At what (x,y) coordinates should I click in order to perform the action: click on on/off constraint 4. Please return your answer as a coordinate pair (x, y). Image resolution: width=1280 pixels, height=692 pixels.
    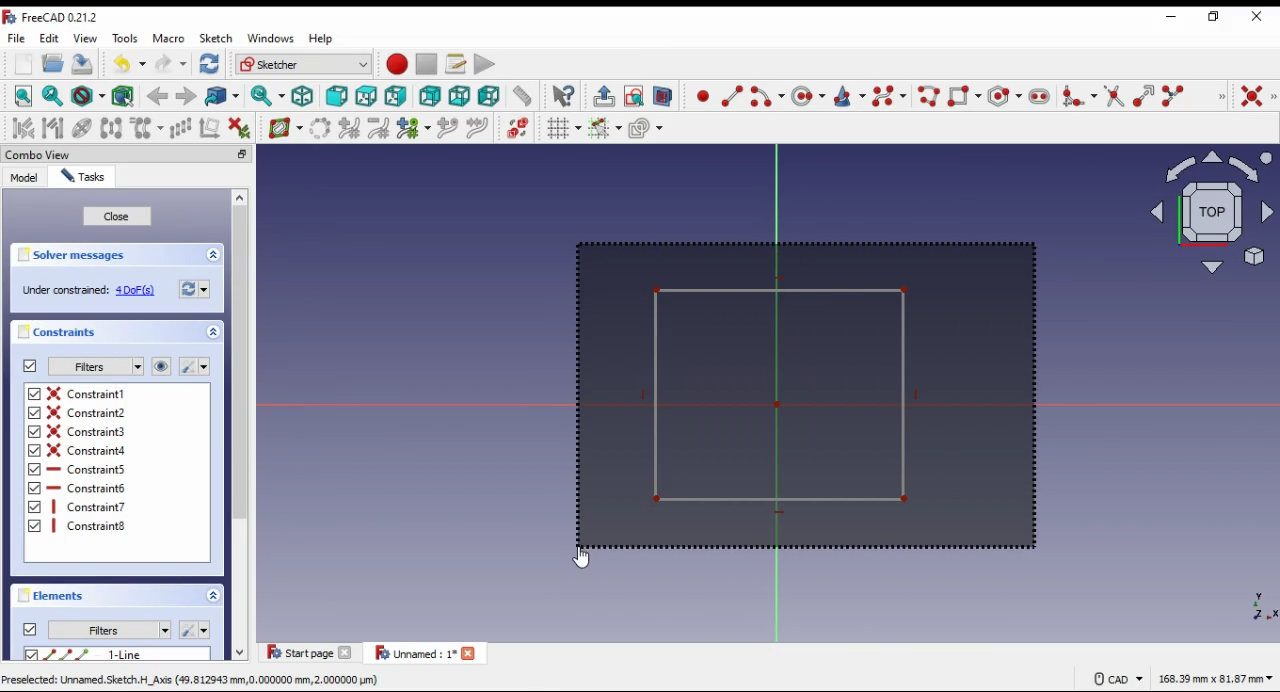
    Looking at the image, I should click on (91, 449).